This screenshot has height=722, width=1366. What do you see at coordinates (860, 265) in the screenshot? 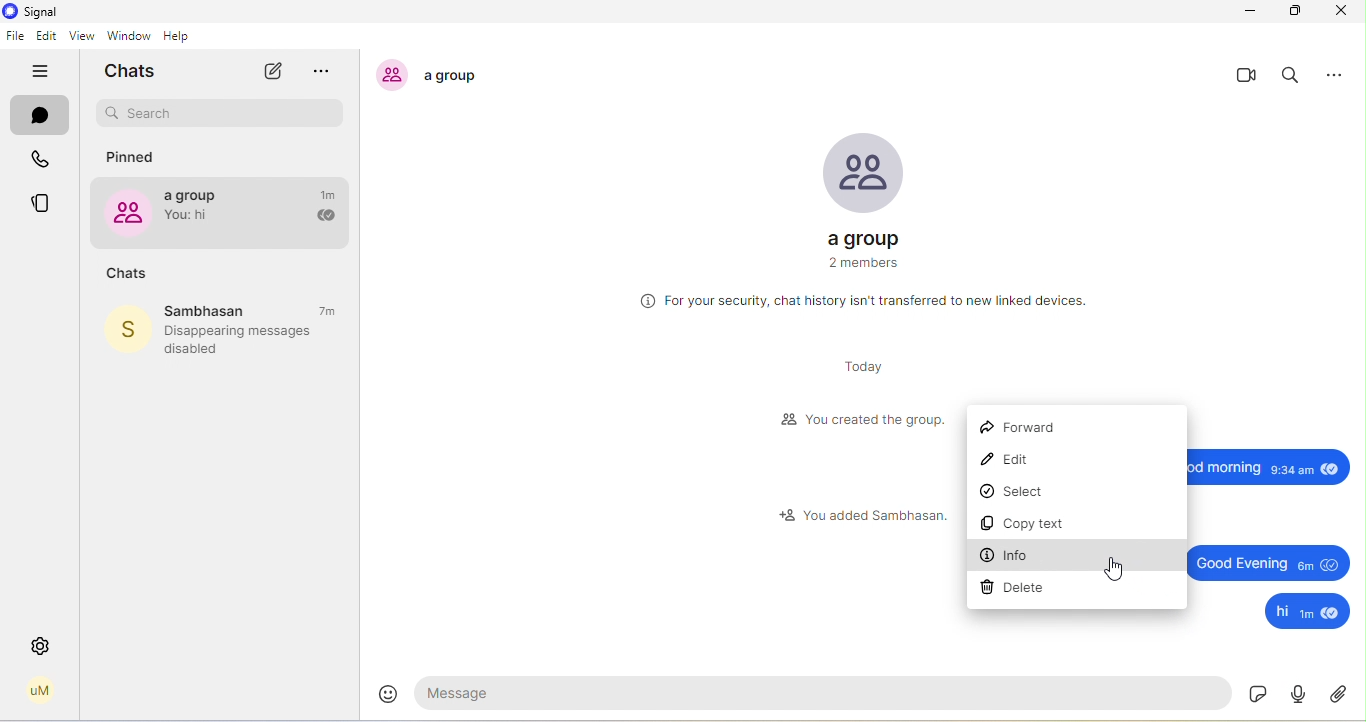
I see `2 members` at bounding box center [860, 265].